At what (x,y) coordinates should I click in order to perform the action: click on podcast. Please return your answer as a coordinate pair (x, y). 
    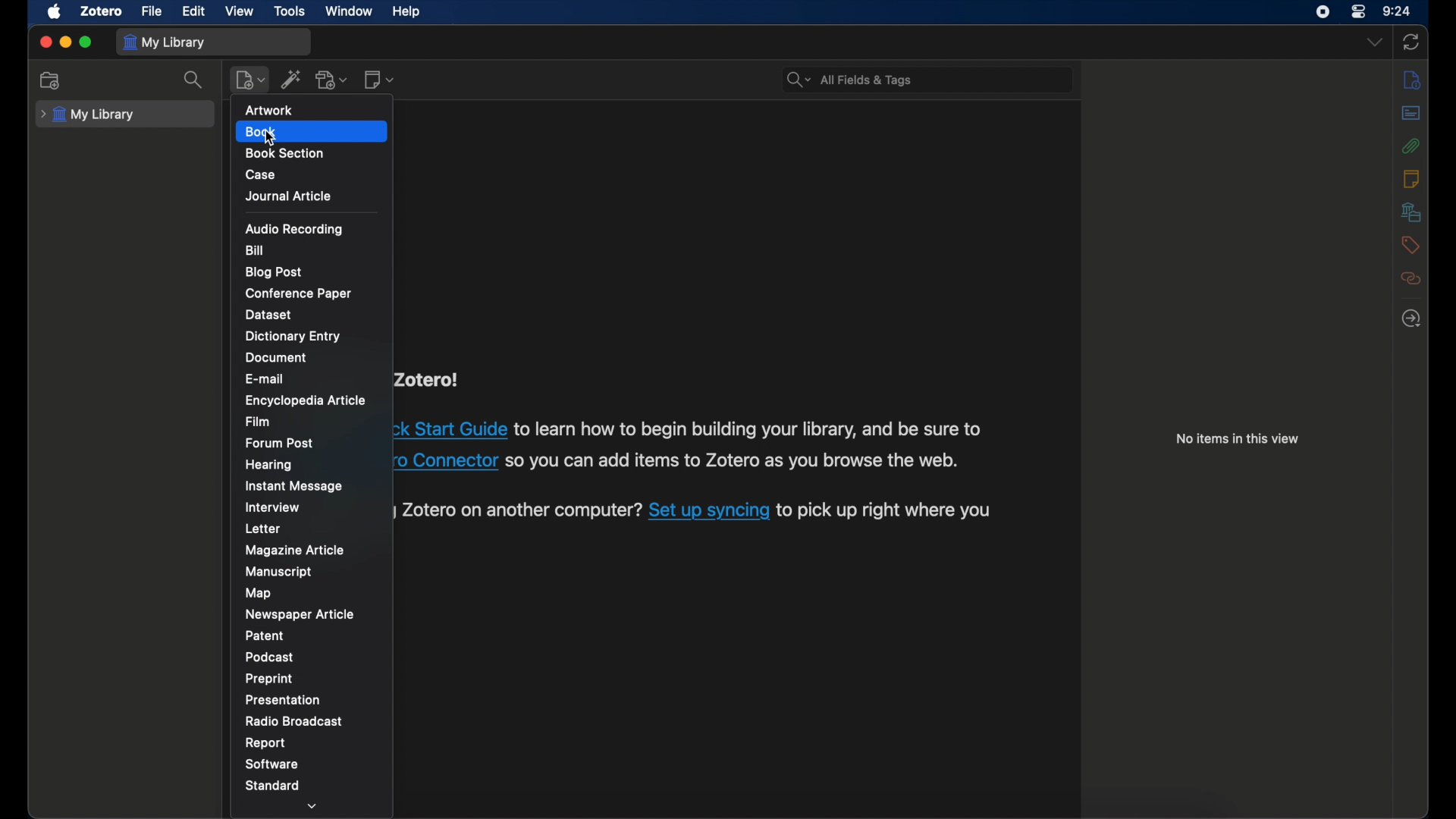
    Looking at the image, I should click on (269, 657).